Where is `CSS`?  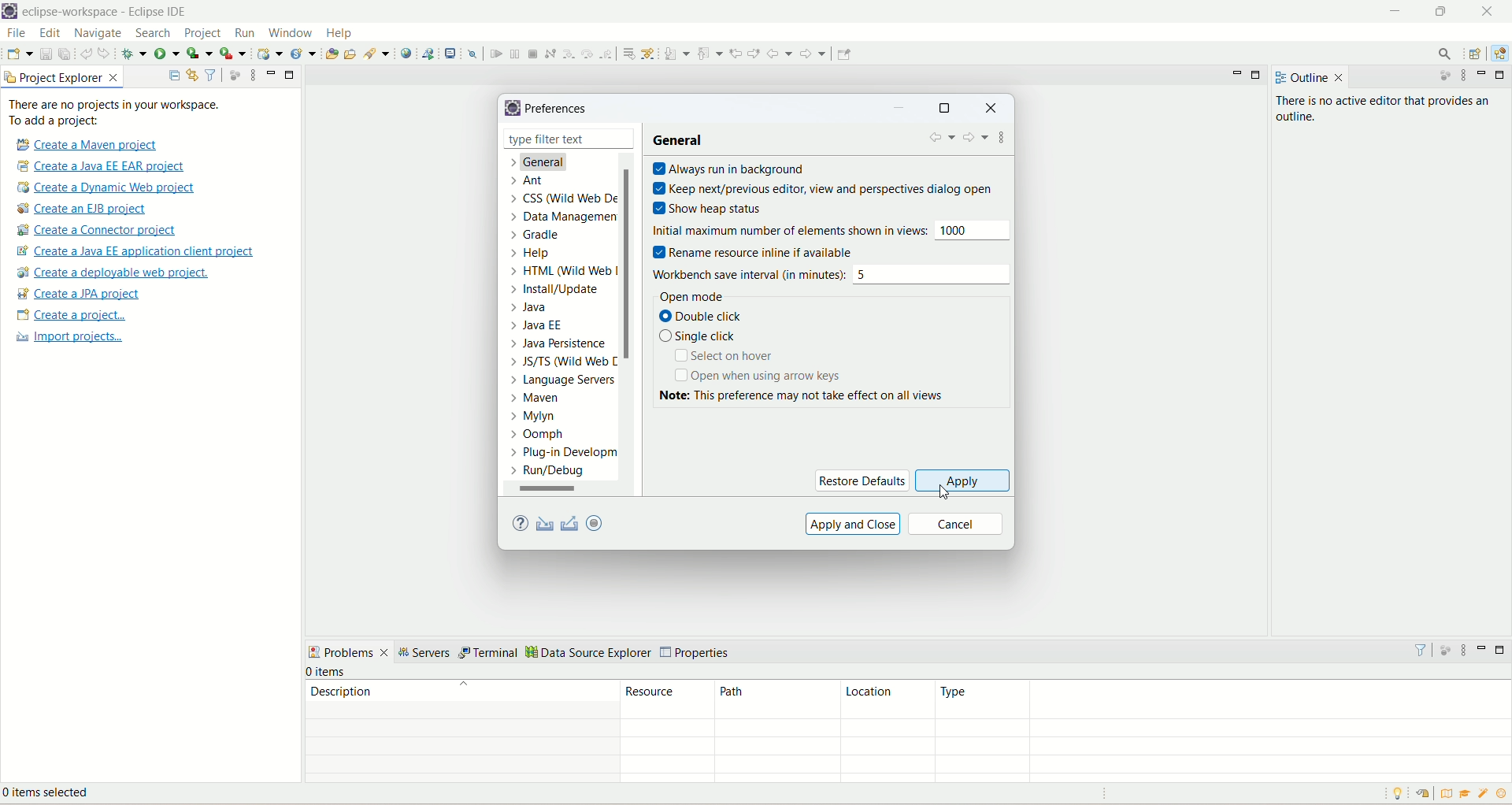 CSS is located at coordinates (561, 201).